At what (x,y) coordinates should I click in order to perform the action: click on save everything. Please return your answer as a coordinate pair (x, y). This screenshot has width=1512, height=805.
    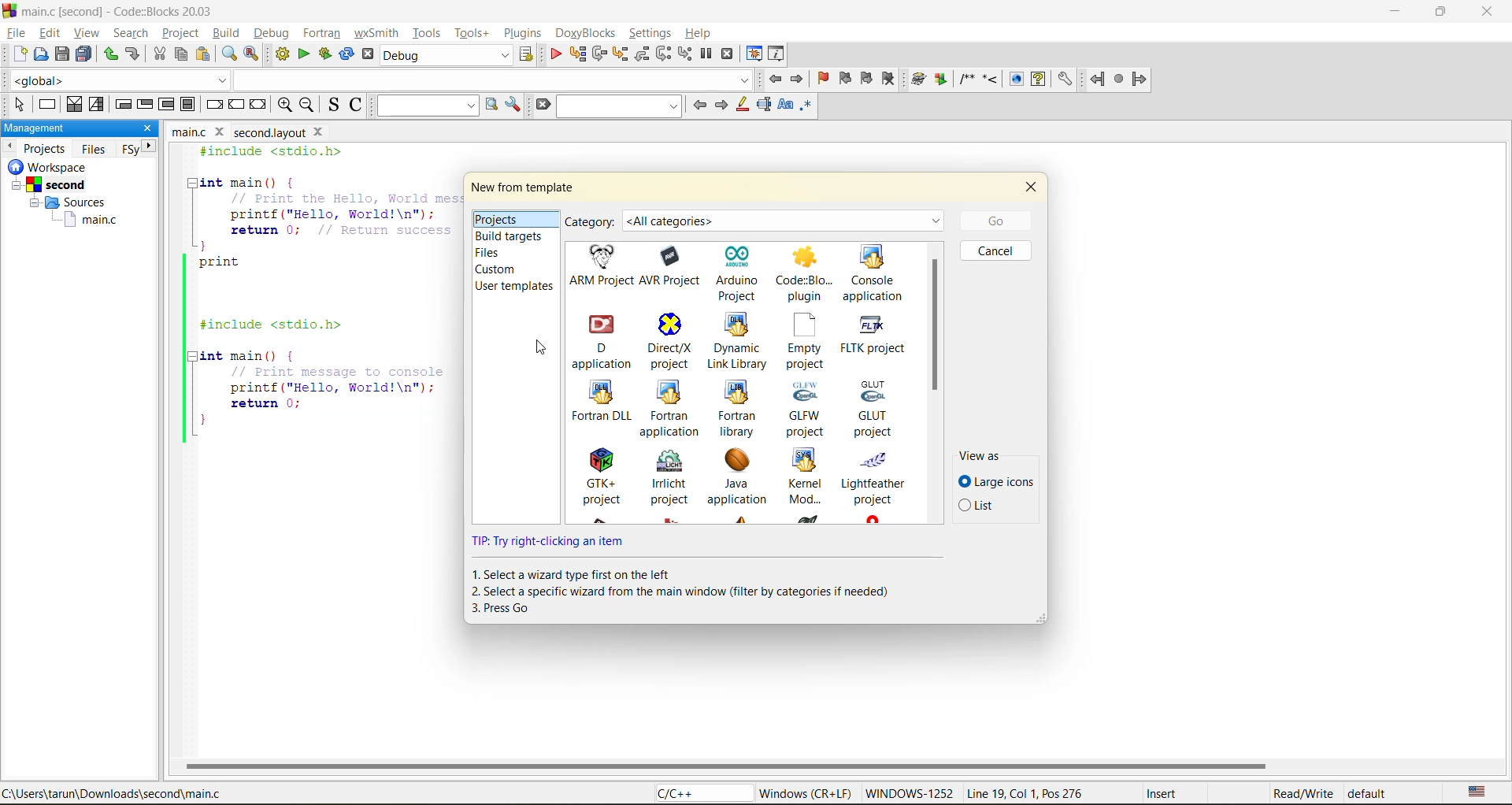
    Looking at the image, I should click on (83, 54).